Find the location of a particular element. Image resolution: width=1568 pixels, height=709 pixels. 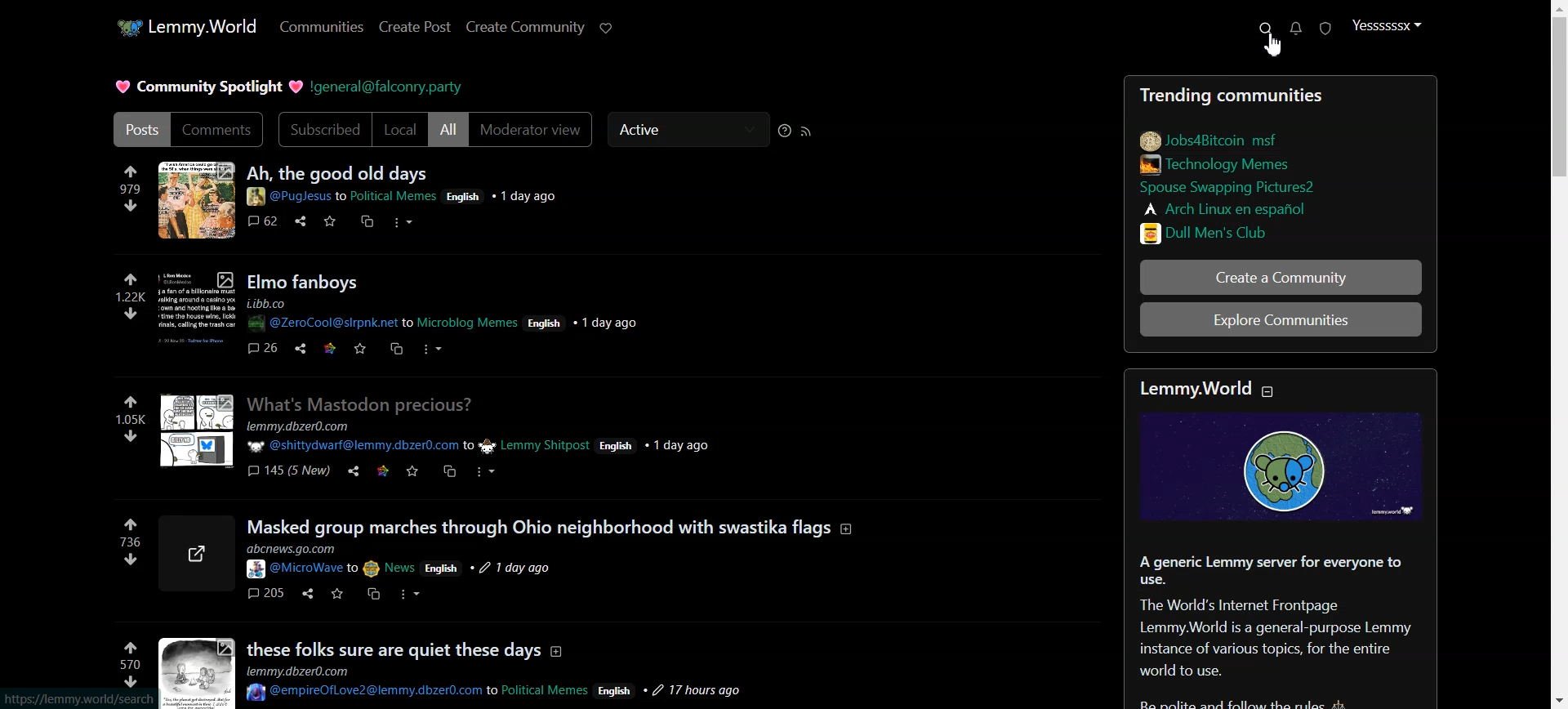

Unread Reports is located at coordinates (1325, 28).